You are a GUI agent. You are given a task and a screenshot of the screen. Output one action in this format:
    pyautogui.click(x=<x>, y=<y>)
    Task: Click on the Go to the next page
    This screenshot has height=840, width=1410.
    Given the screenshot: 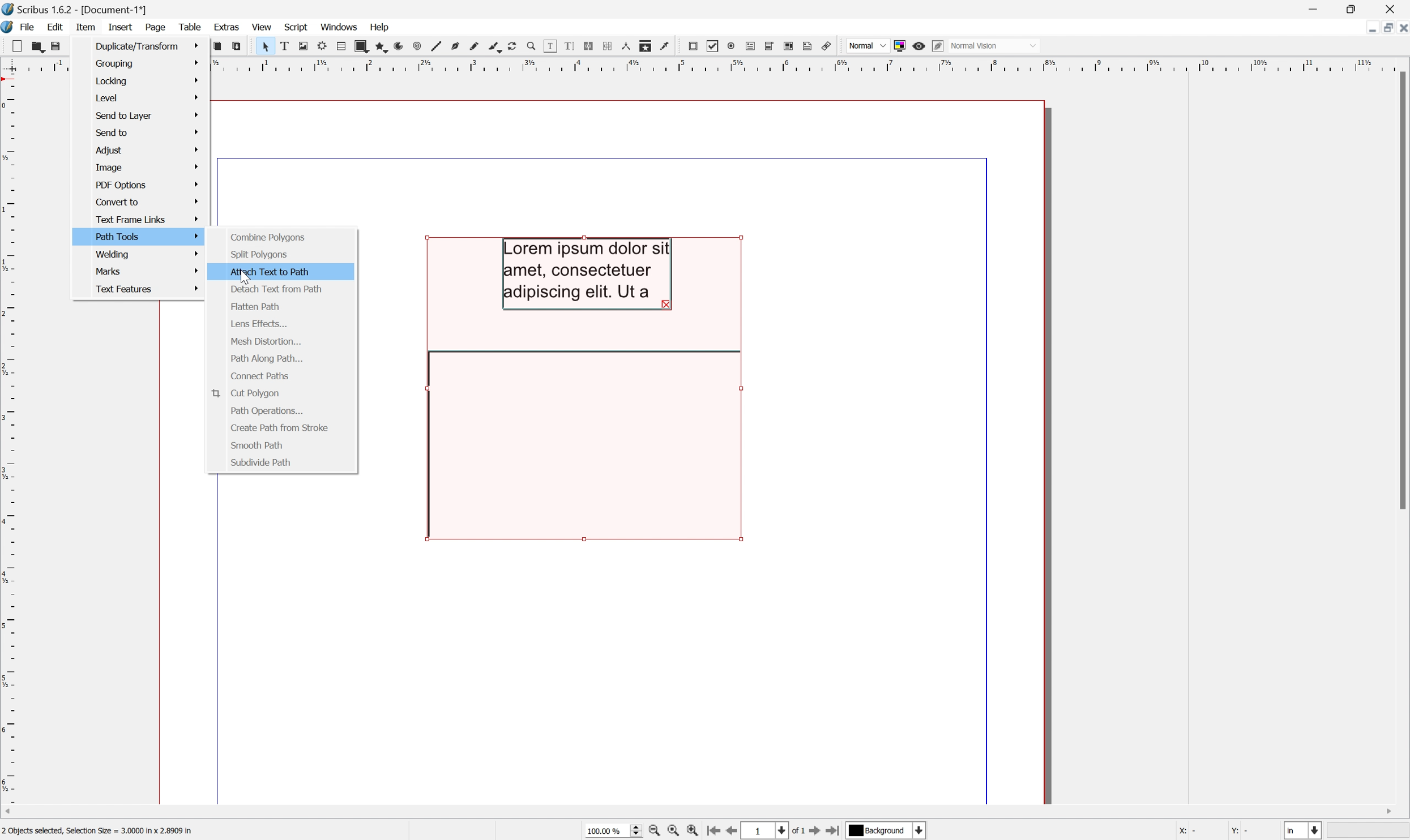 What is the action you would take?
    pyautogui.click(x=815, y=830)
    